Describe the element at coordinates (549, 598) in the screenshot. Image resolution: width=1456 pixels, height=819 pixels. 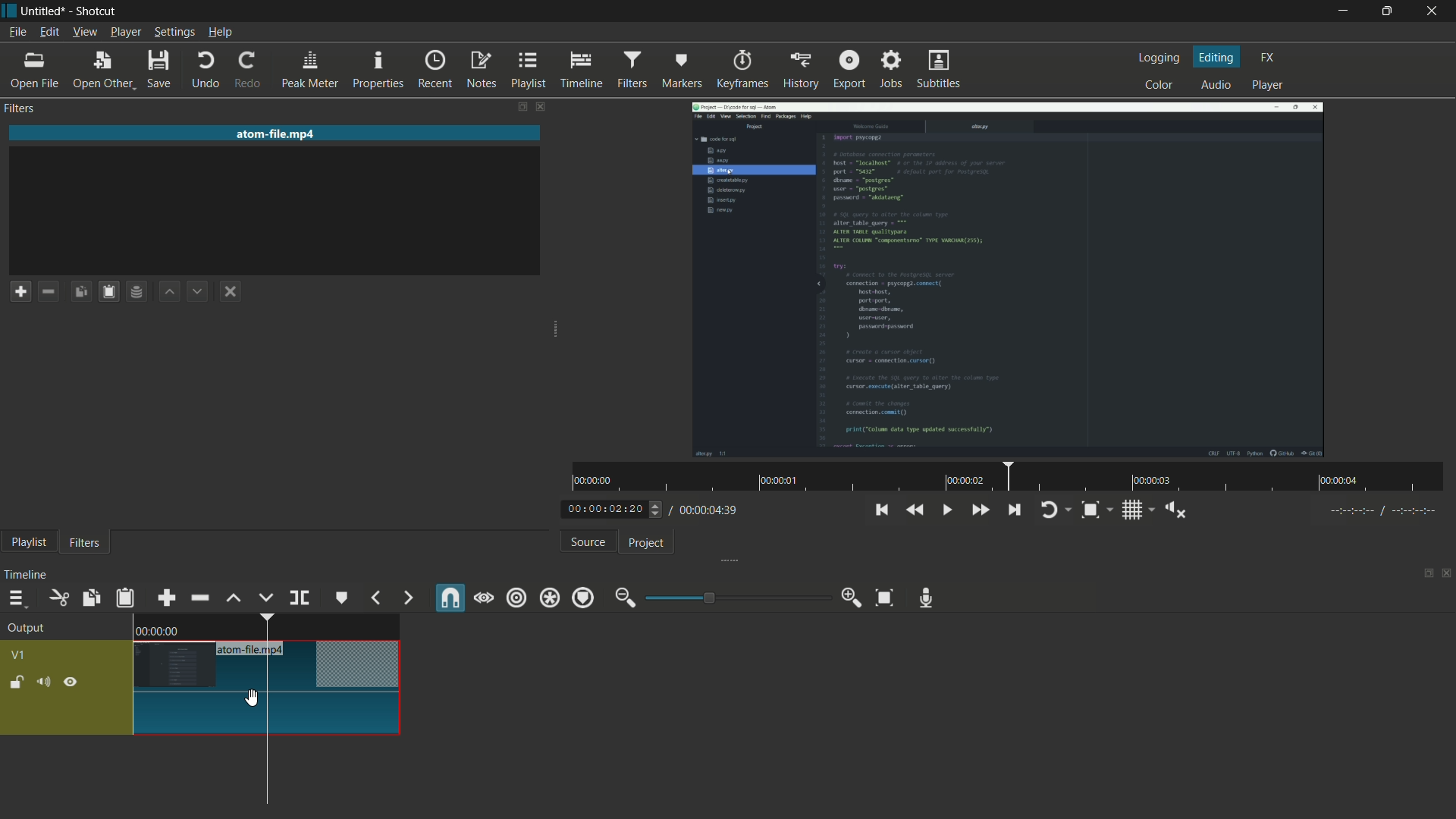
I see `ripple all tracks` at that location.